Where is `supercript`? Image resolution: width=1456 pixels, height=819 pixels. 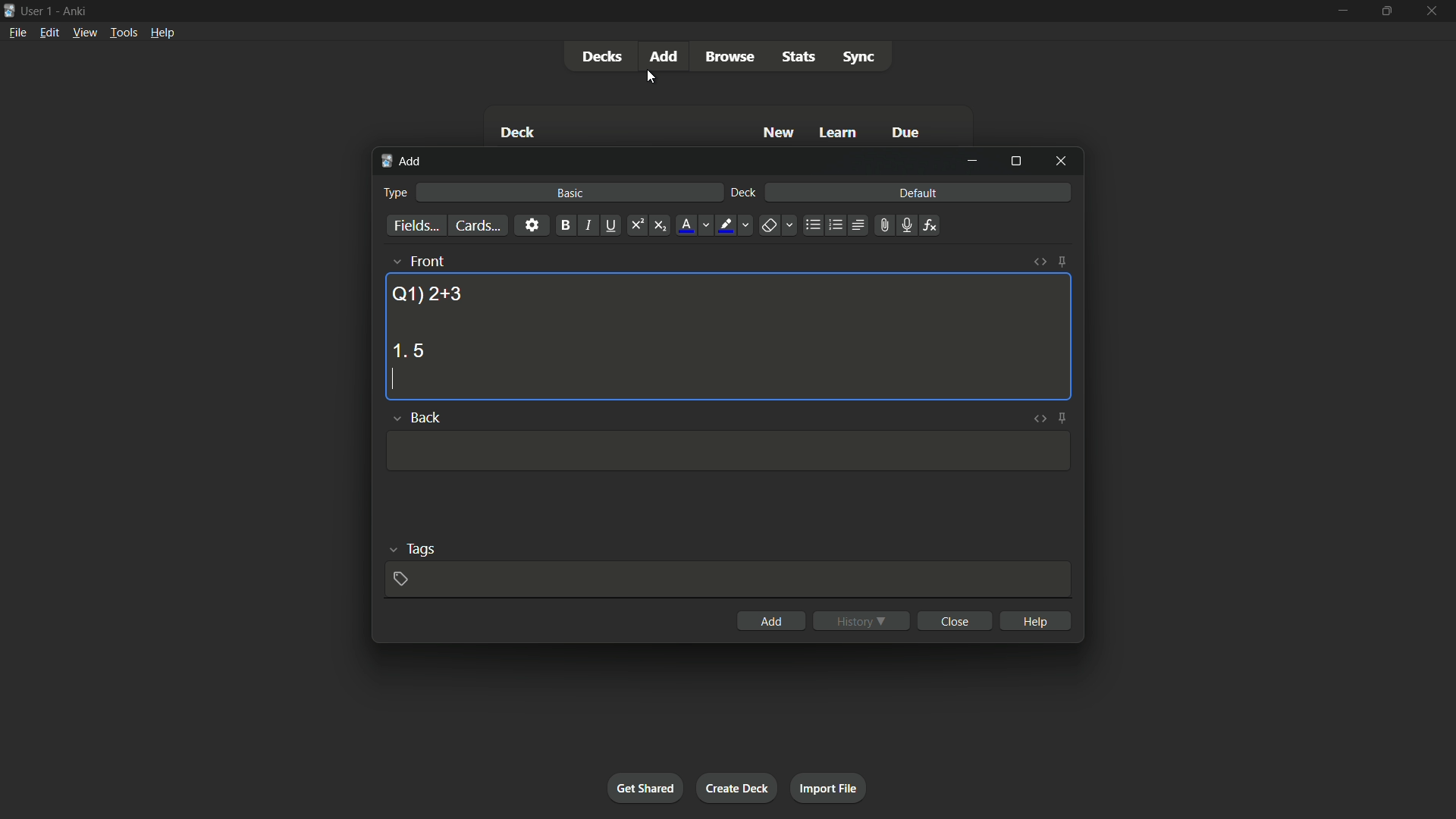
supercript is located at coordinates (635, 226).